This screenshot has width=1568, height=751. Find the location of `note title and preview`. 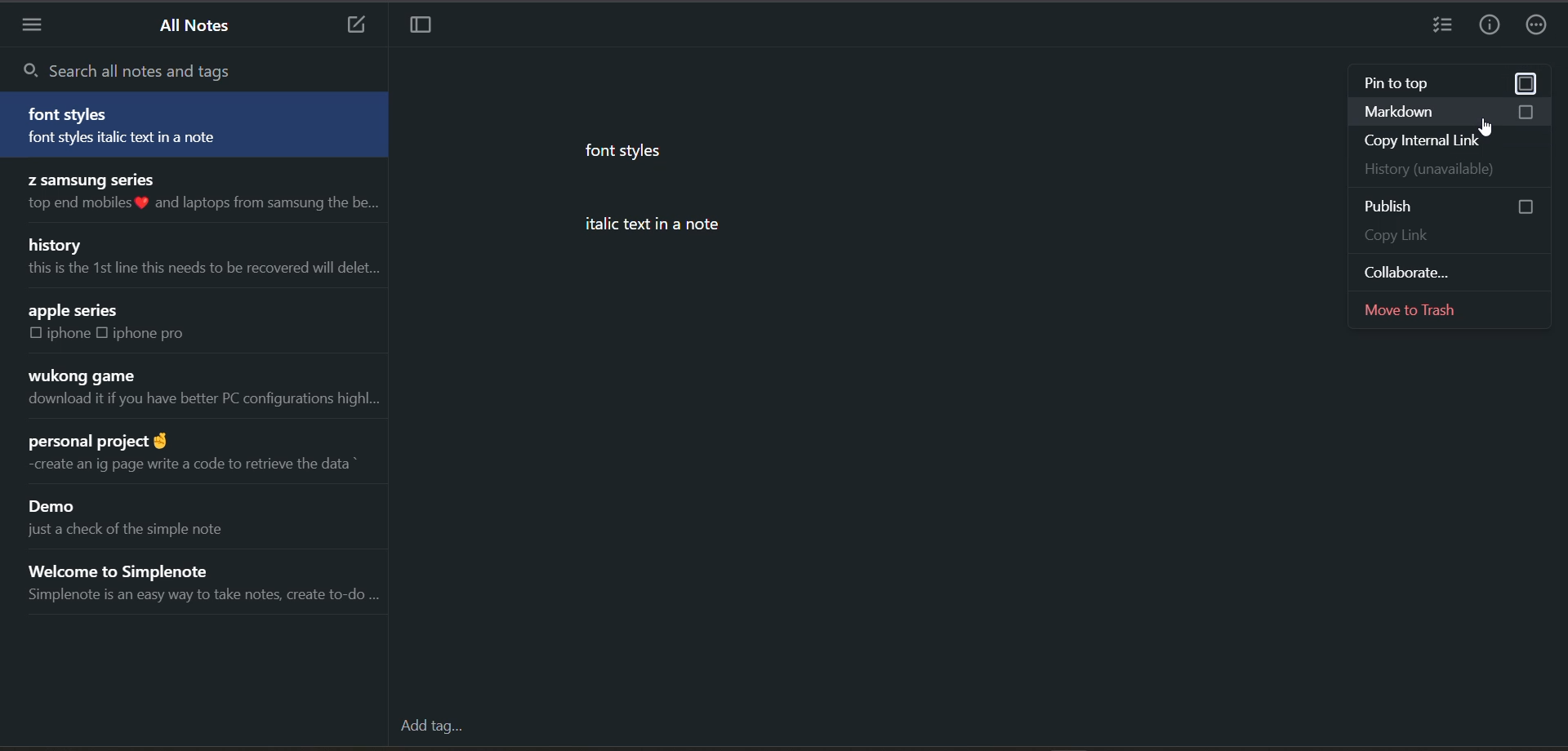

note title and preview is located at coordinates (145, 516).